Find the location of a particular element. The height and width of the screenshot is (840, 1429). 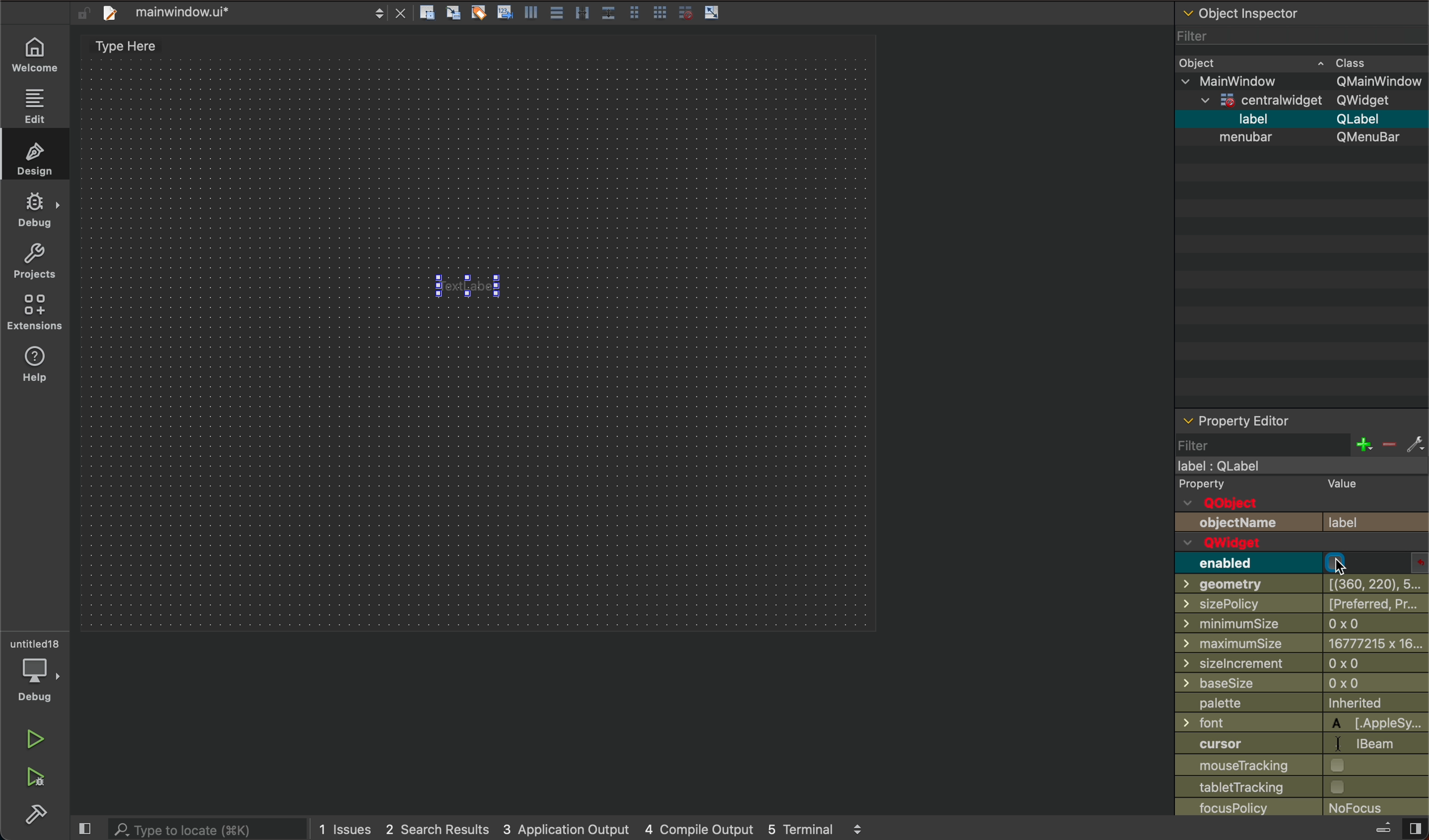

extensions is located at coordinates (34, 313).